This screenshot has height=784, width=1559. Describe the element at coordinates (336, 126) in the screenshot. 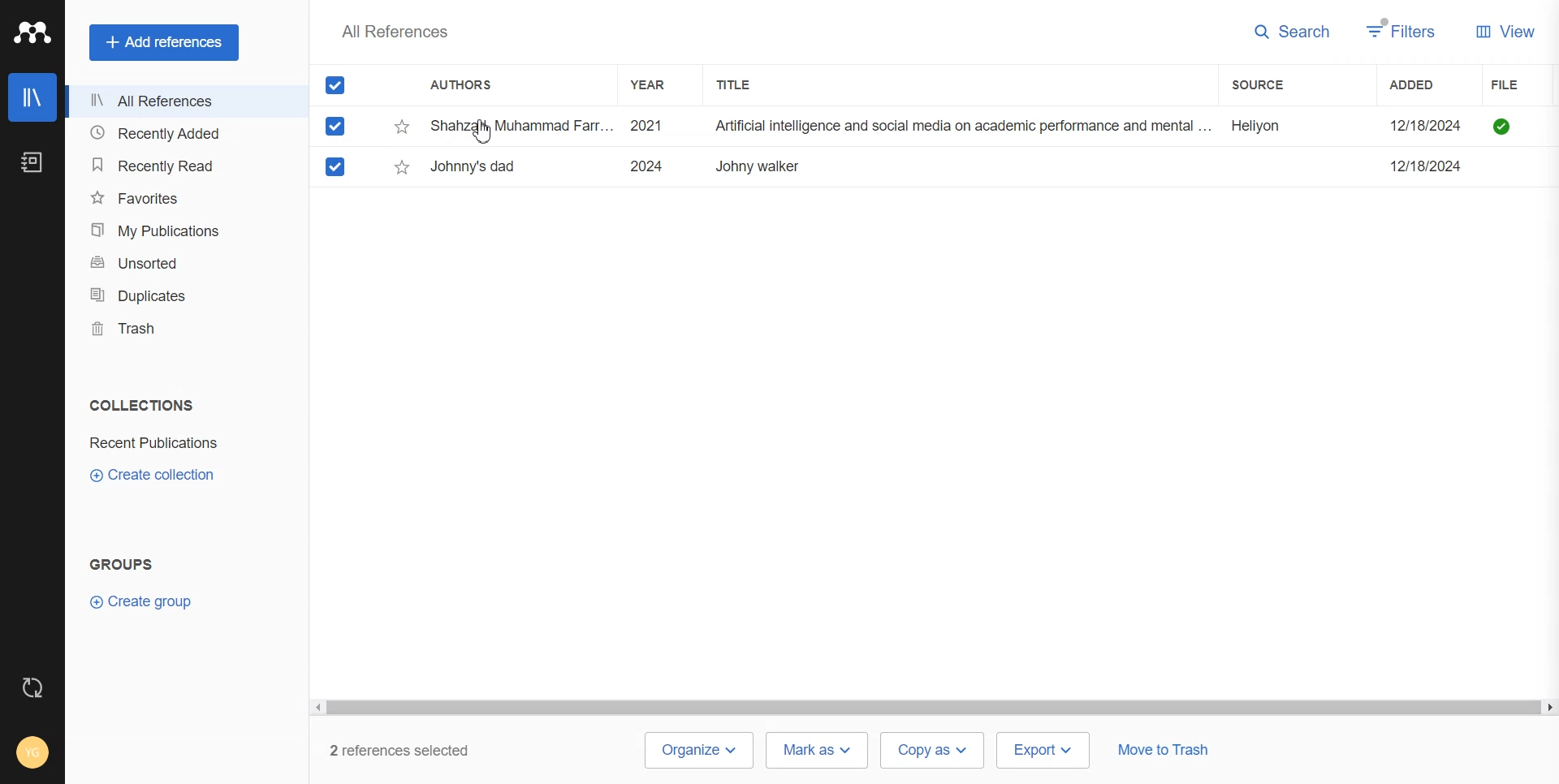

I see `Checked mark` at that location.